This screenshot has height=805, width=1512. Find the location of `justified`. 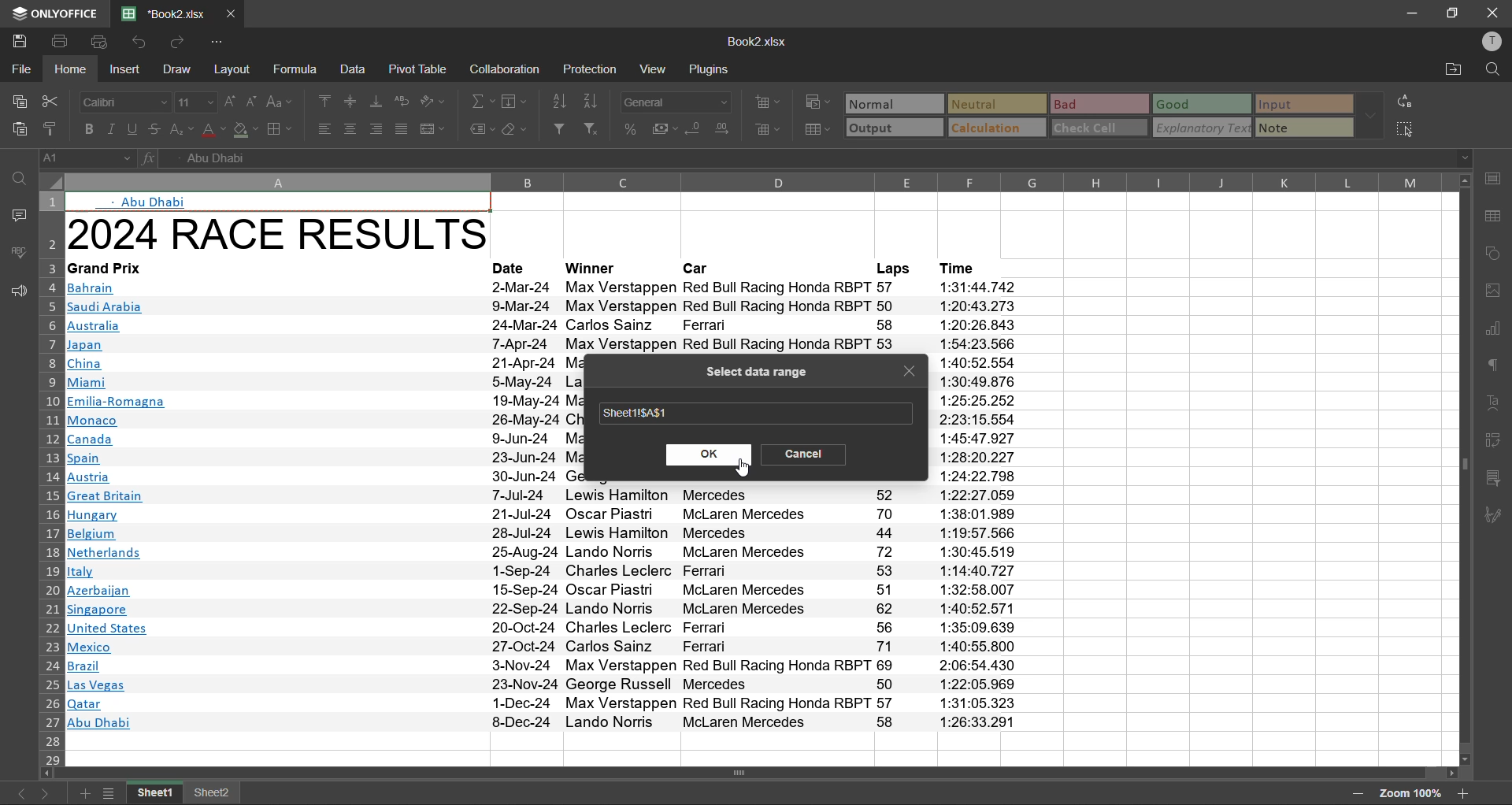

justified is located at coordinates (399, 129).